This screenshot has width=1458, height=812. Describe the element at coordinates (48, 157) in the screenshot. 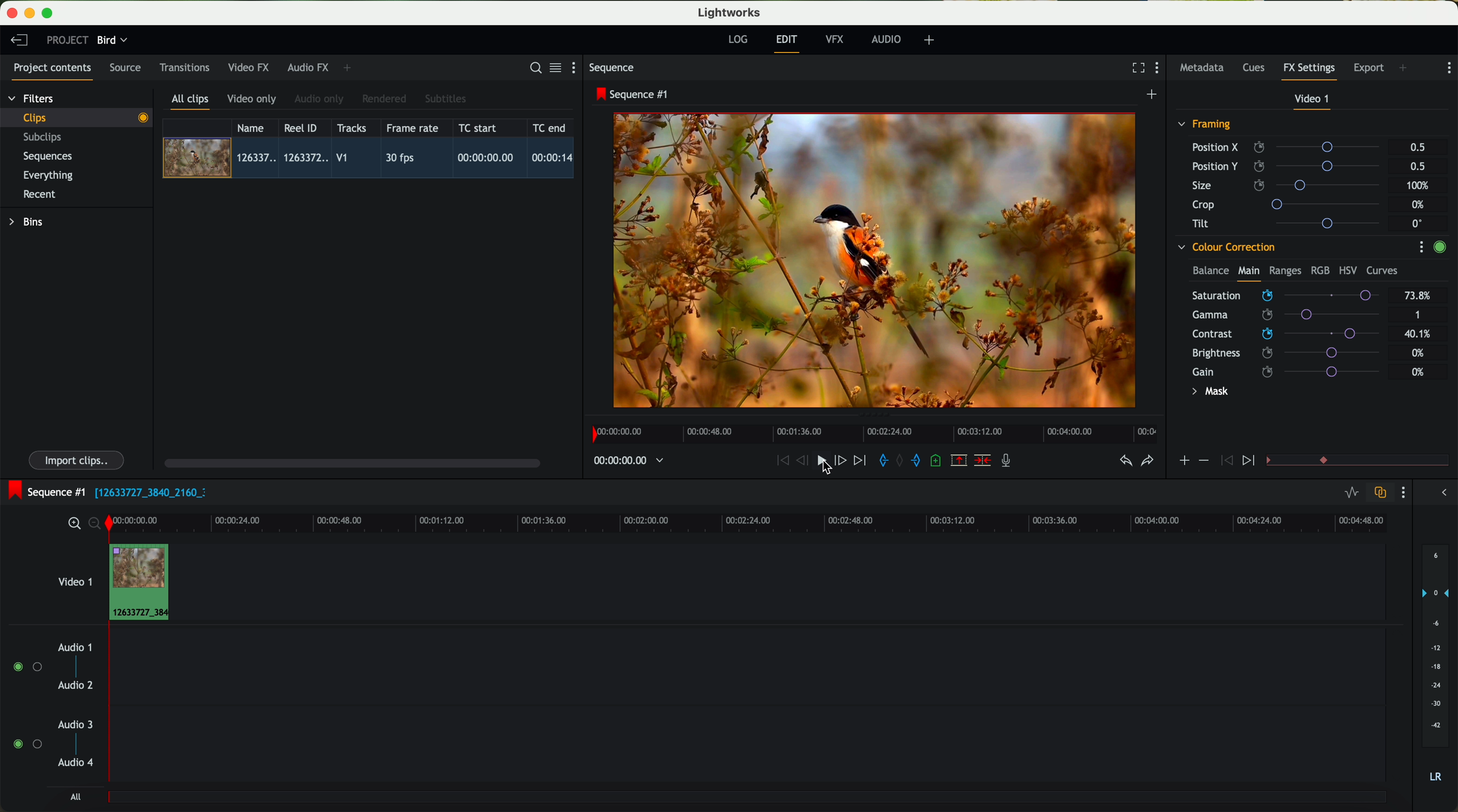

I see `sequences` at that location.